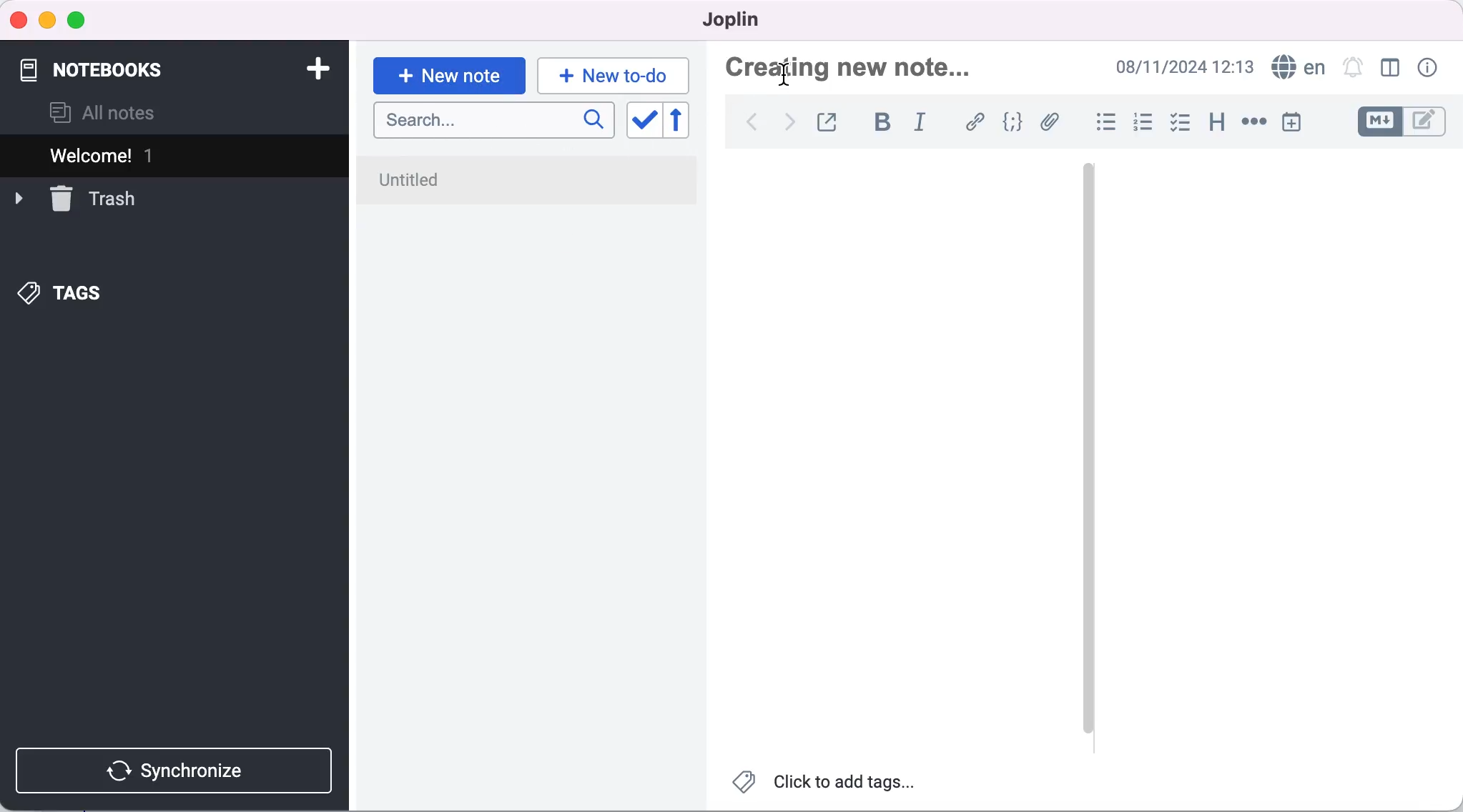 The width and height of the screenshot is (1463, 812). What do you see at coordinates (83, 294) in the screenshot?
I see `tags` at bounding box center [83, 294].